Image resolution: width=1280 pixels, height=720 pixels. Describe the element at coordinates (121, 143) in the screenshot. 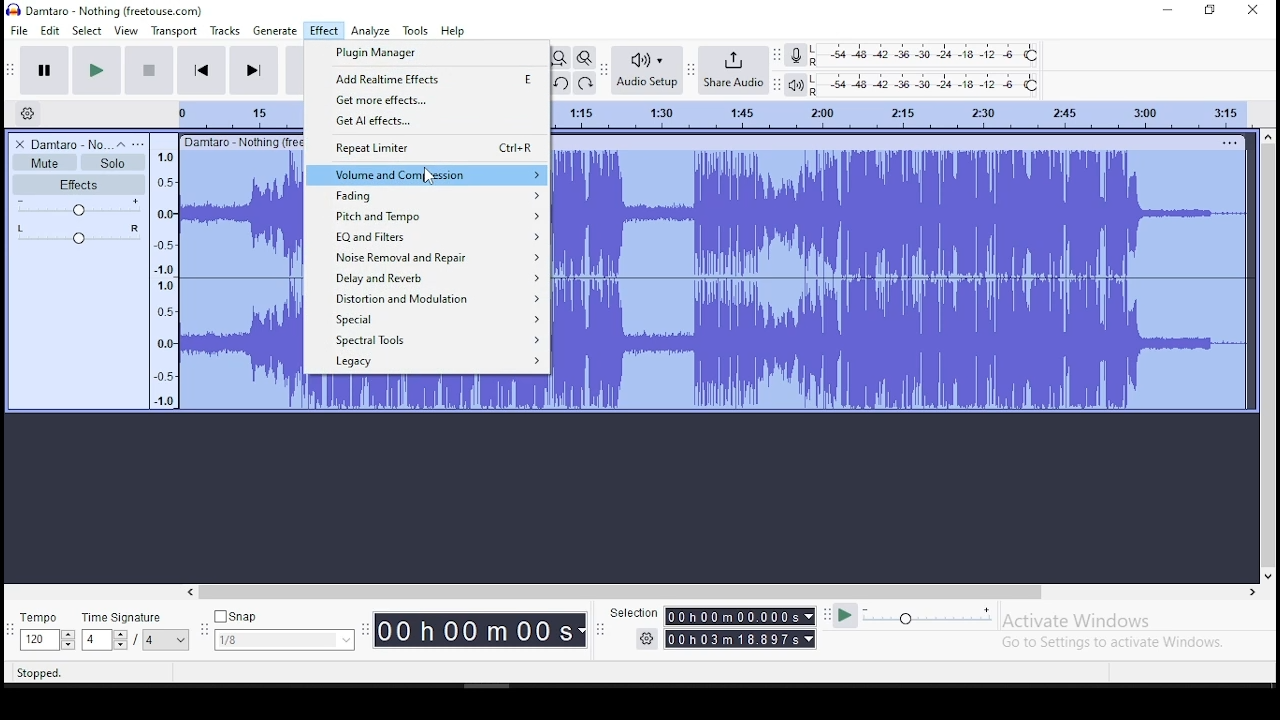

I see `collapse` at that location.